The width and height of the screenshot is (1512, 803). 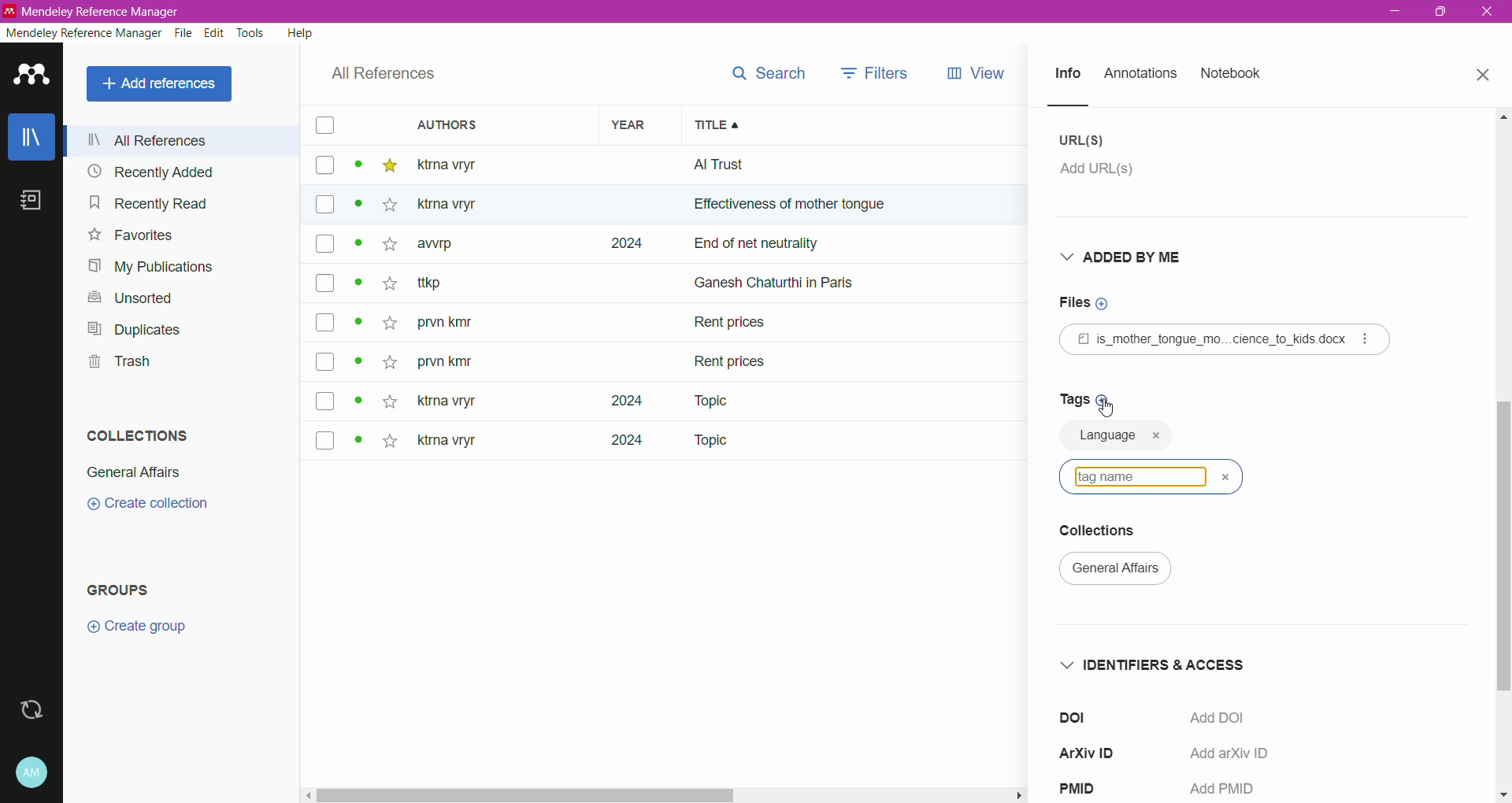 What do you see at coordinates (32, 76) in the screenshot?
I see `Application Logo` at bounding box center [32, 76].